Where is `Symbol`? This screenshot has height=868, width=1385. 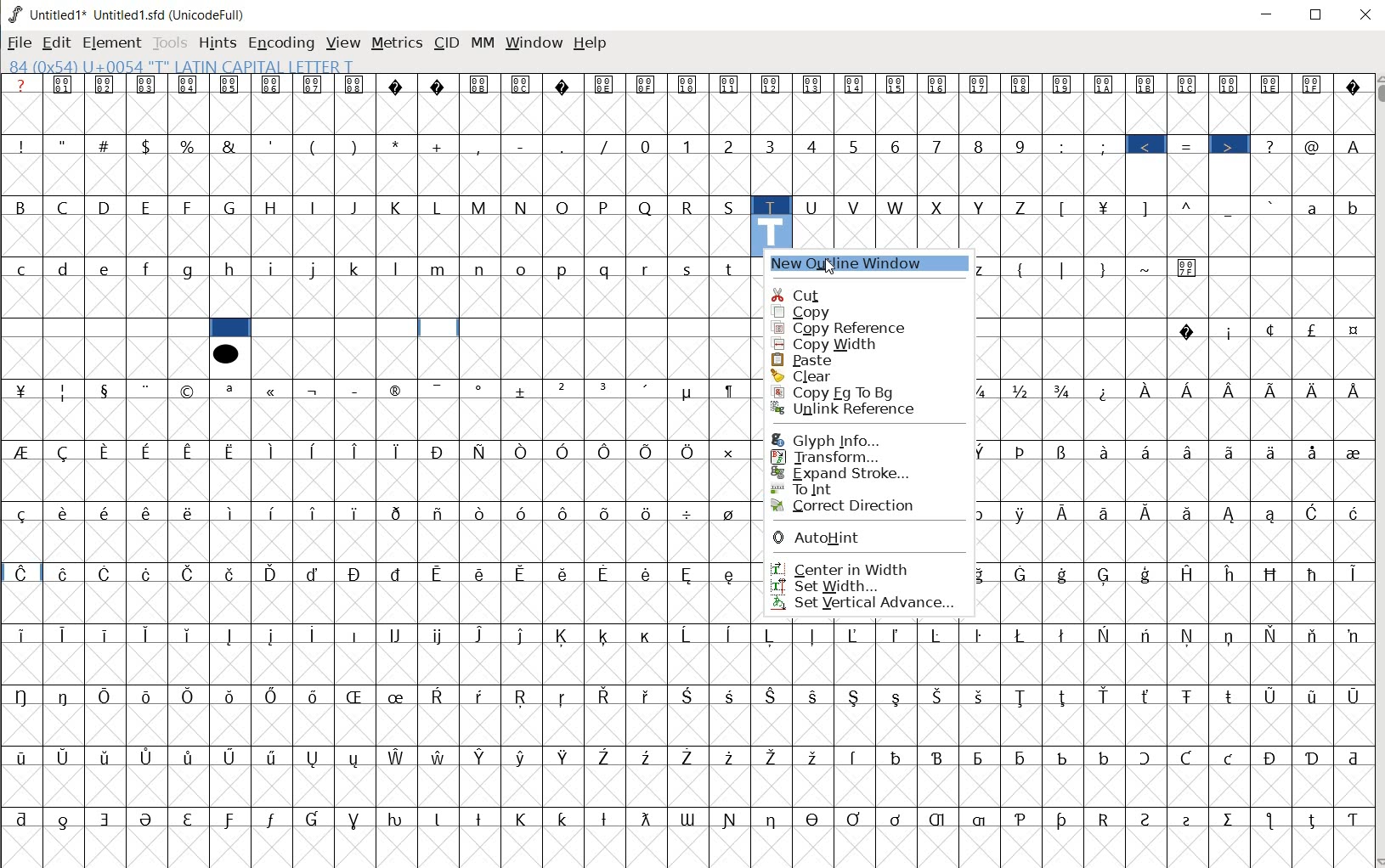
Symbol is located at coordinates (1148, 818).